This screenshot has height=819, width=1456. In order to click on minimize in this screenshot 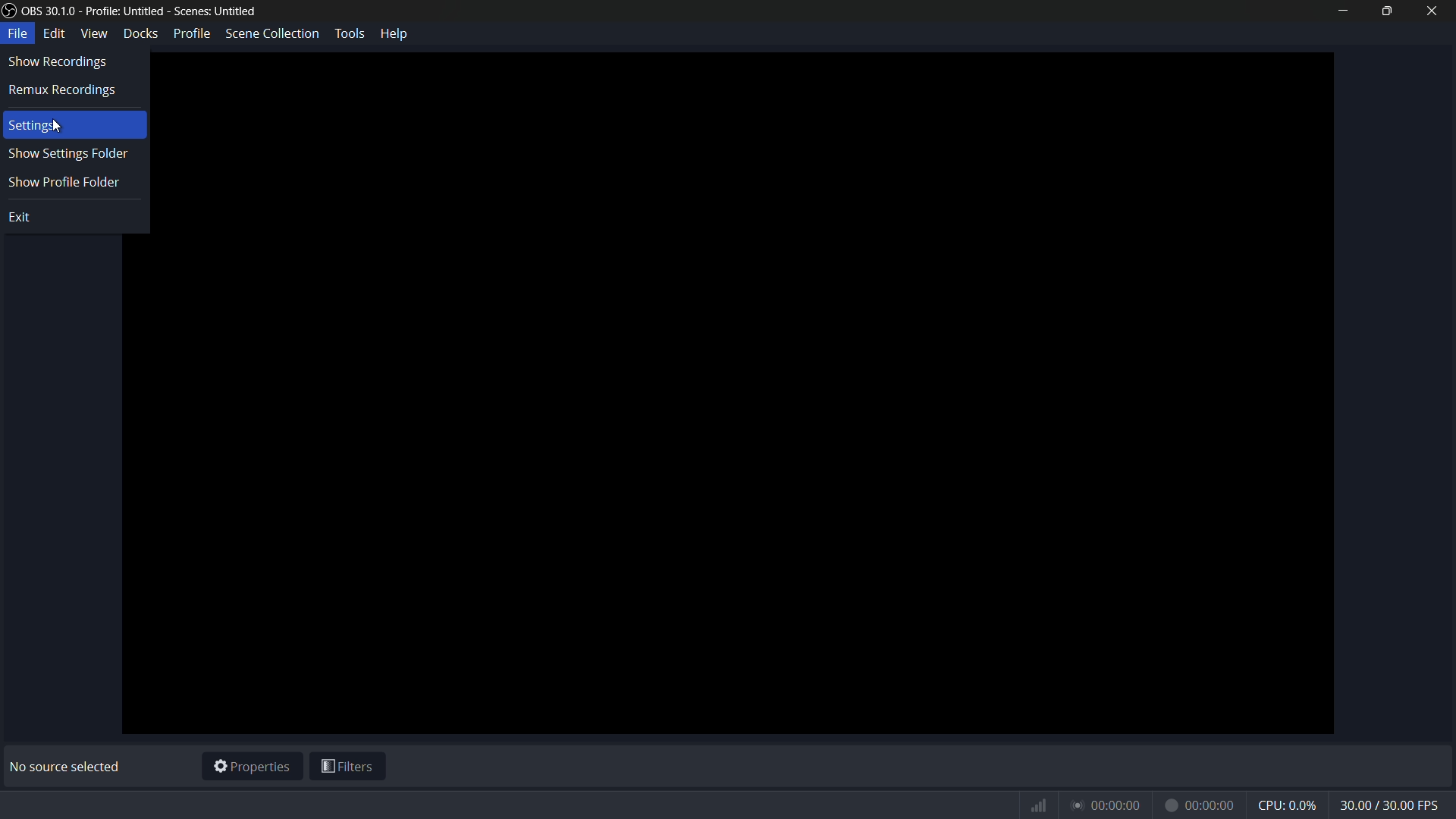, I will do `click(1342, 11)`.